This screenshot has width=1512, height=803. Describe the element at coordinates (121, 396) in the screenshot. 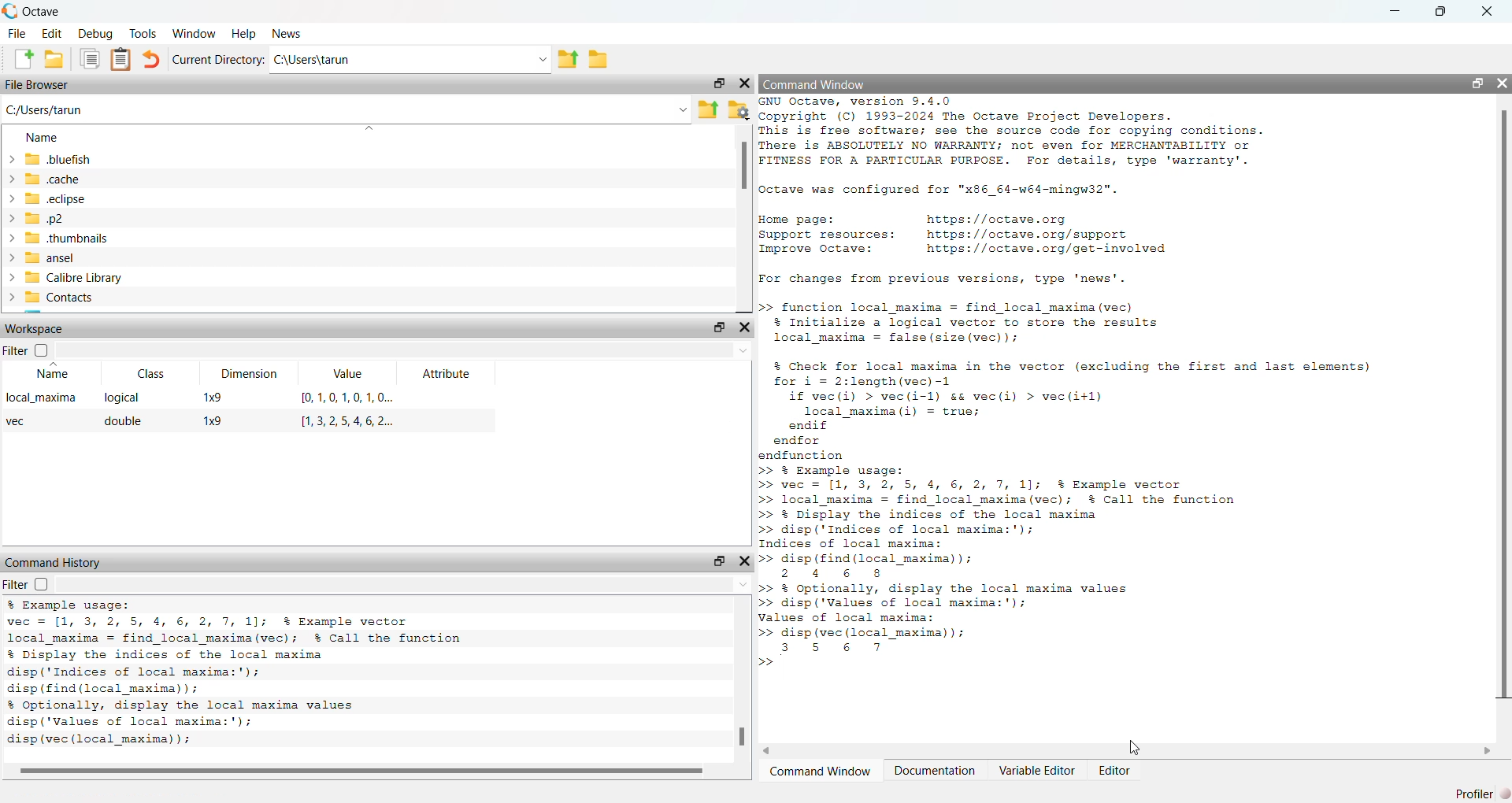

I see `logical` at that location.